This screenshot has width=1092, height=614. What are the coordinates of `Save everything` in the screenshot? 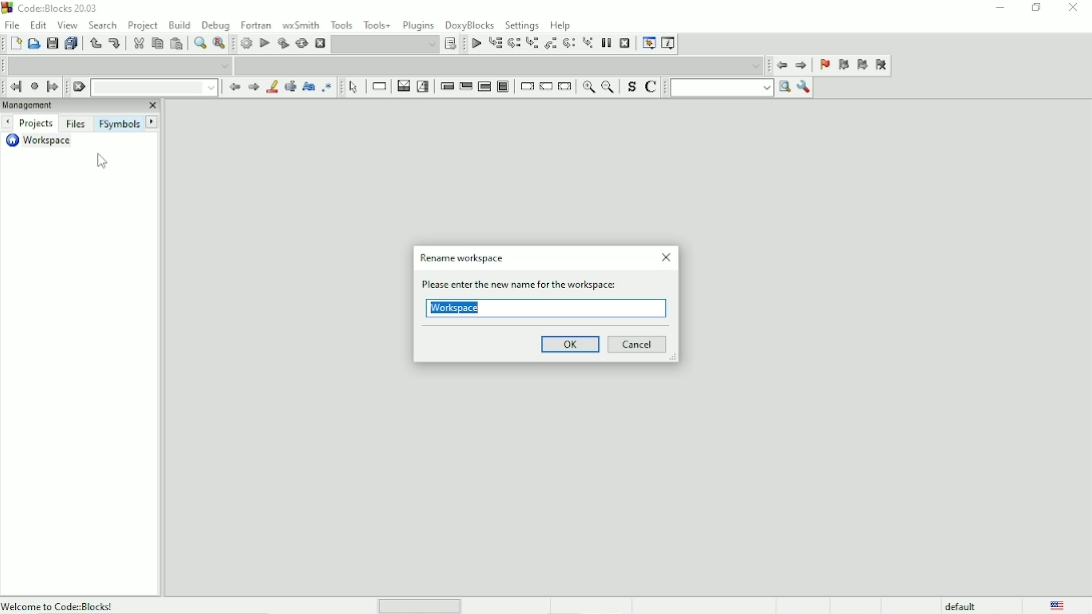 It's located at (71, 44).